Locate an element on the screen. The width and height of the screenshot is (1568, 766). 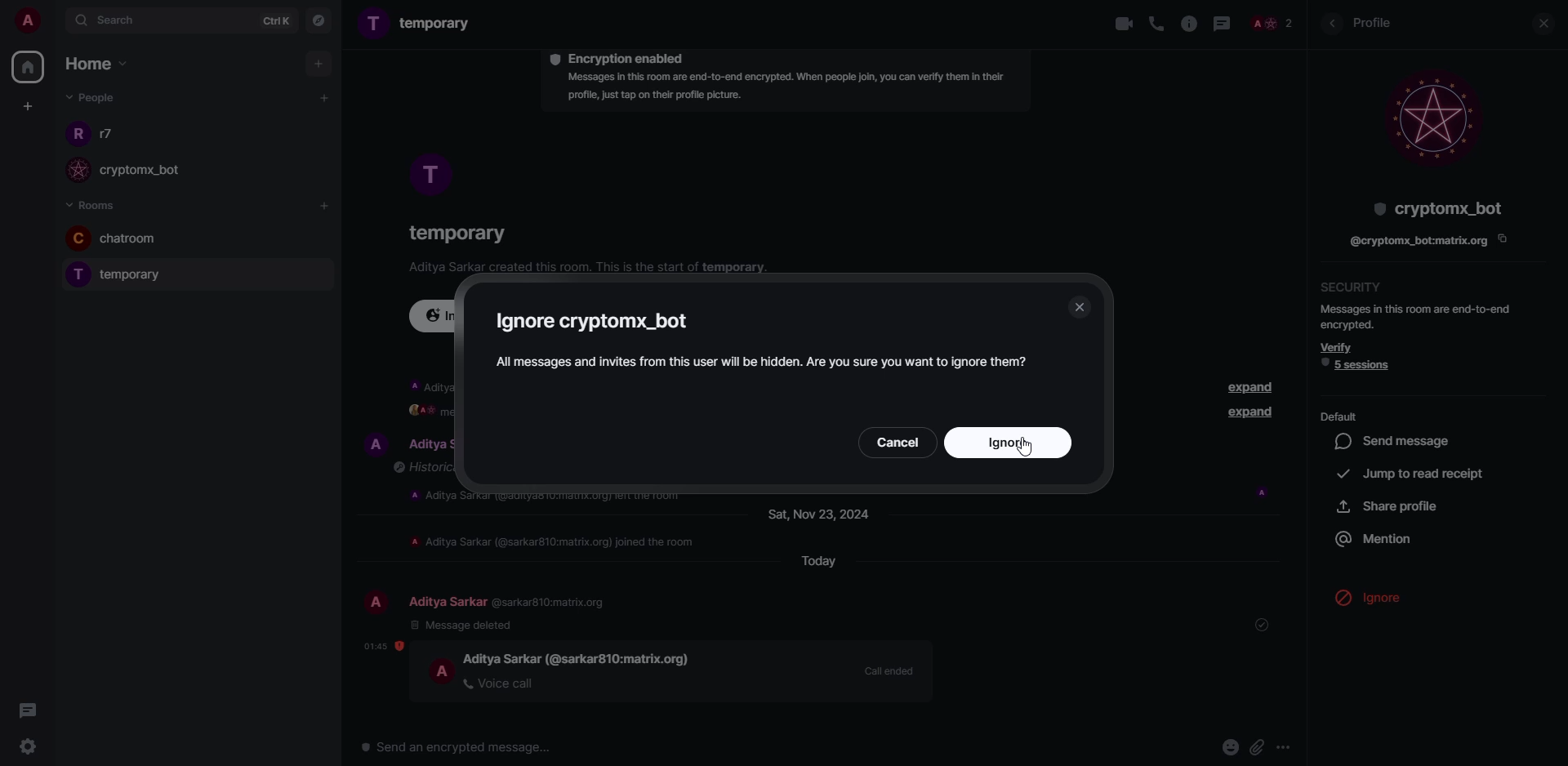
profile is located at coordinates (443, 670).